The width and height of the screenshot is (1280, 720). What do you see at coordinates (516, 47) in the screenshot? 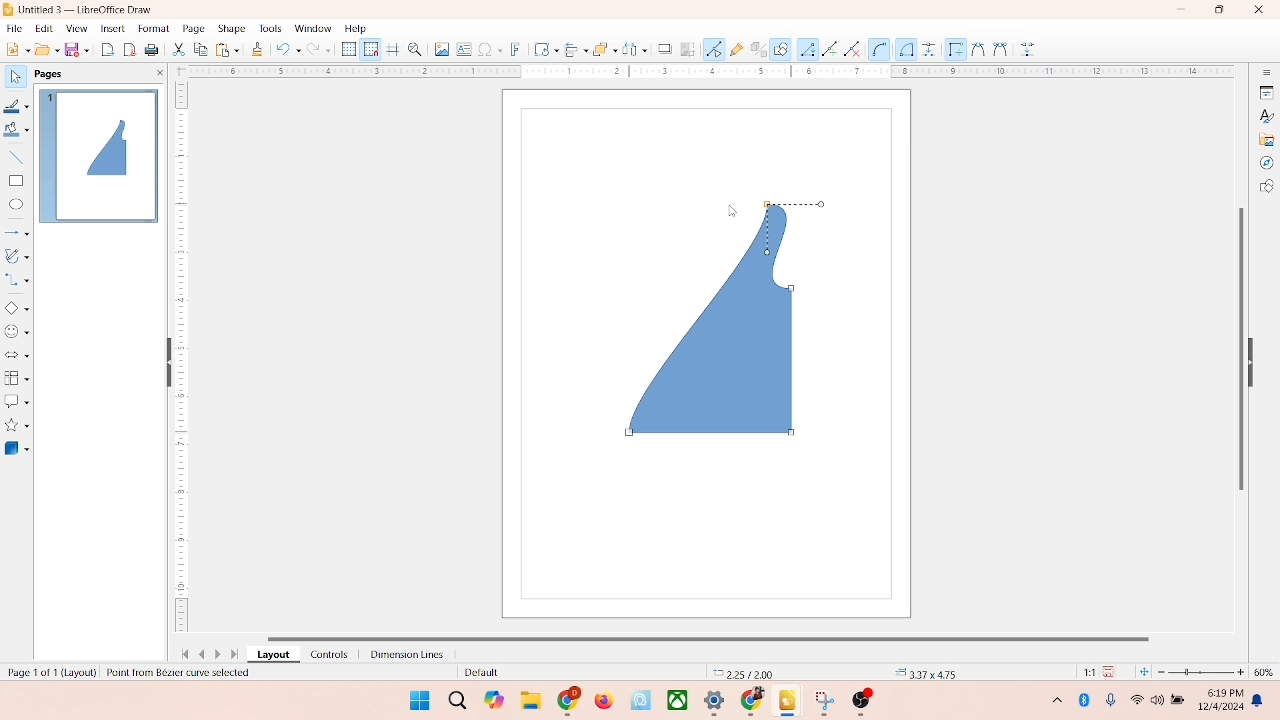
I see `fontwork text` at bounding box center [516, 47].